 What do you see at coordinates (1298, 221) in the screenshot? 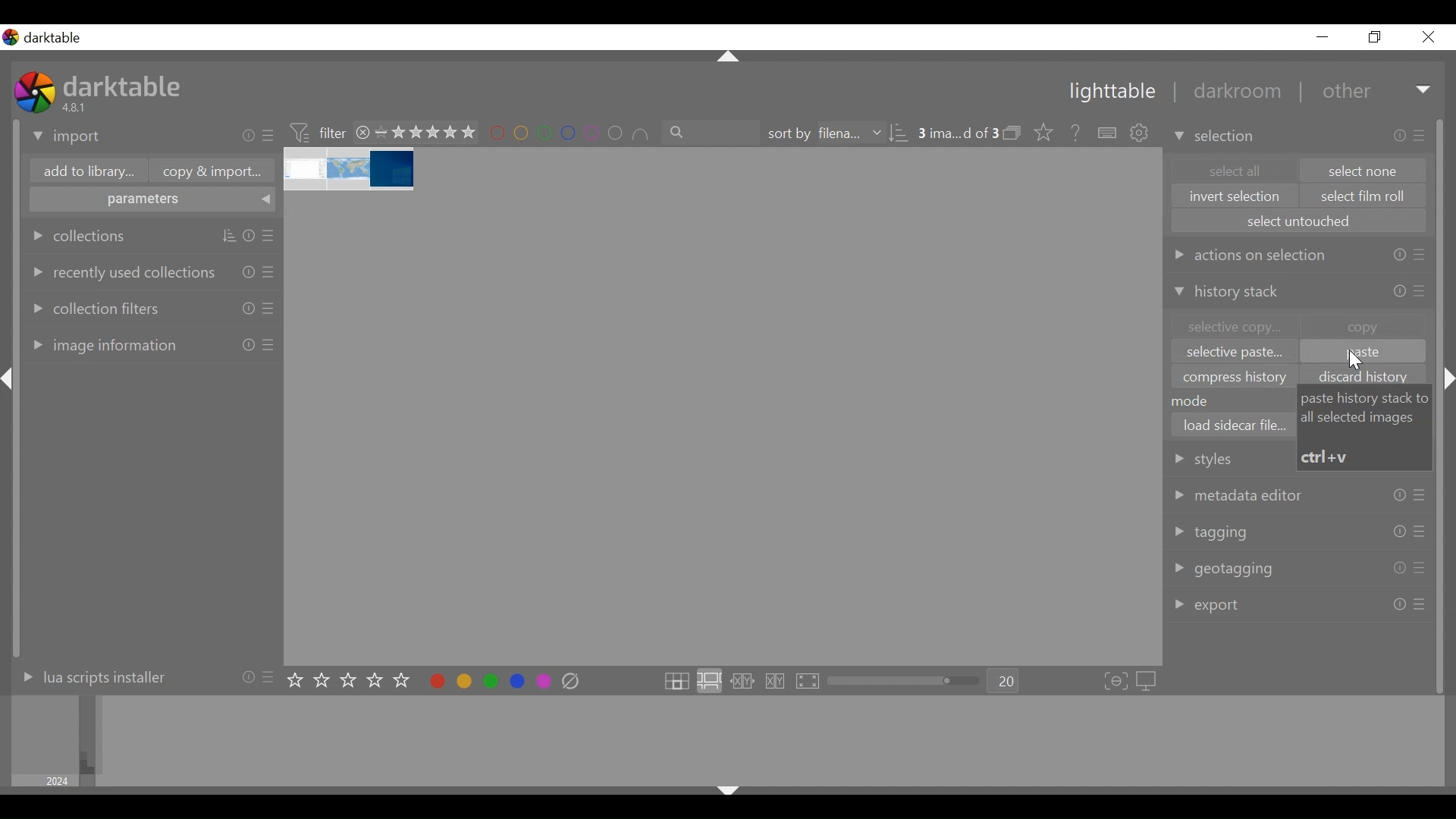
I see `select untouched` at bounding box center [1298, 221].